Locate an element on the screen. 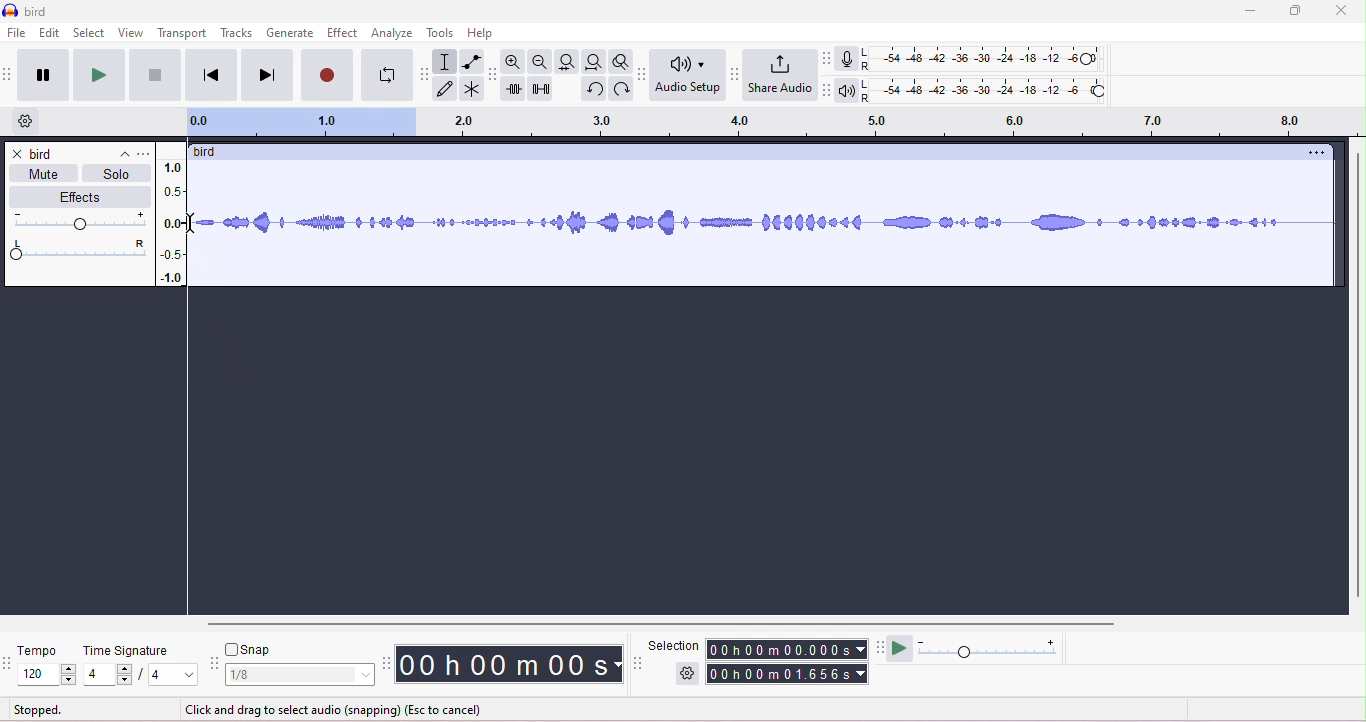 The image size is (1366, 722). options is located at coordinates (1313, 154).